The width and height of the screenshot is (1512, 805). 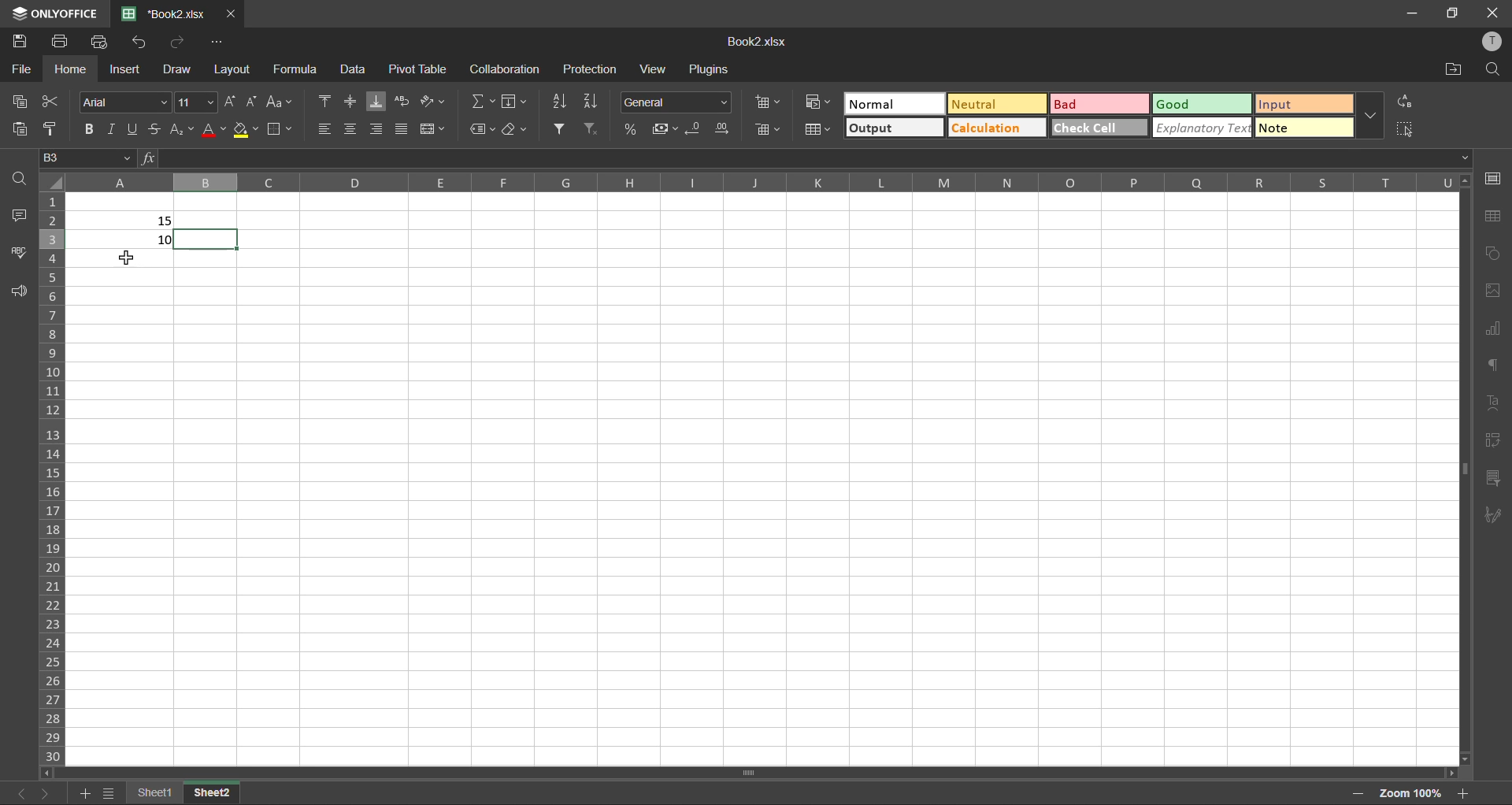 What do you see at coordinates (53, 13) in the screenshot?
I see `only office` at bounding box center [53, 13].